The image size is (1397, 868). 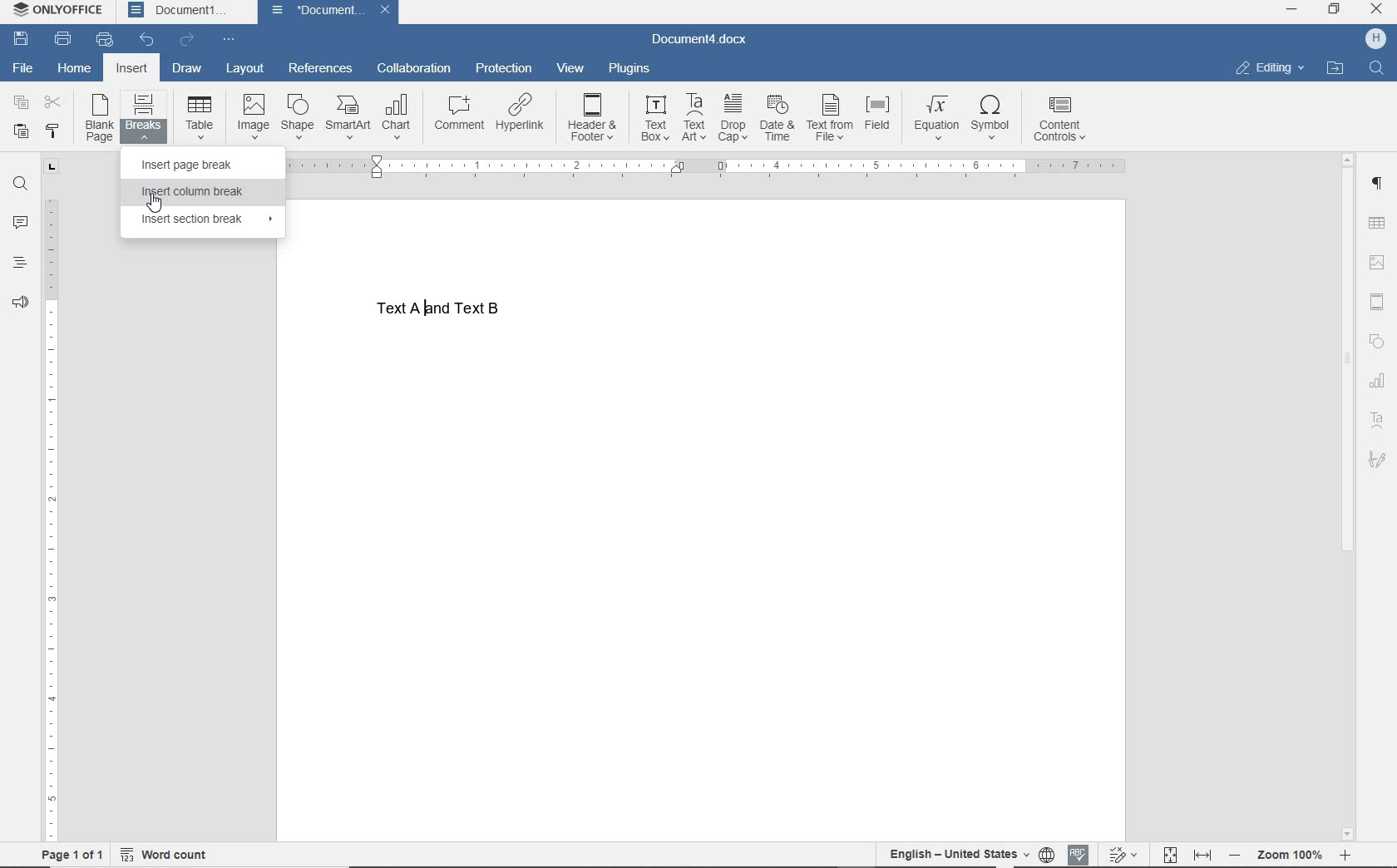 What do you see at coordinates (51, 167) in the screenshot?
I see `TAB STOP` at bounding box center [51, 167].